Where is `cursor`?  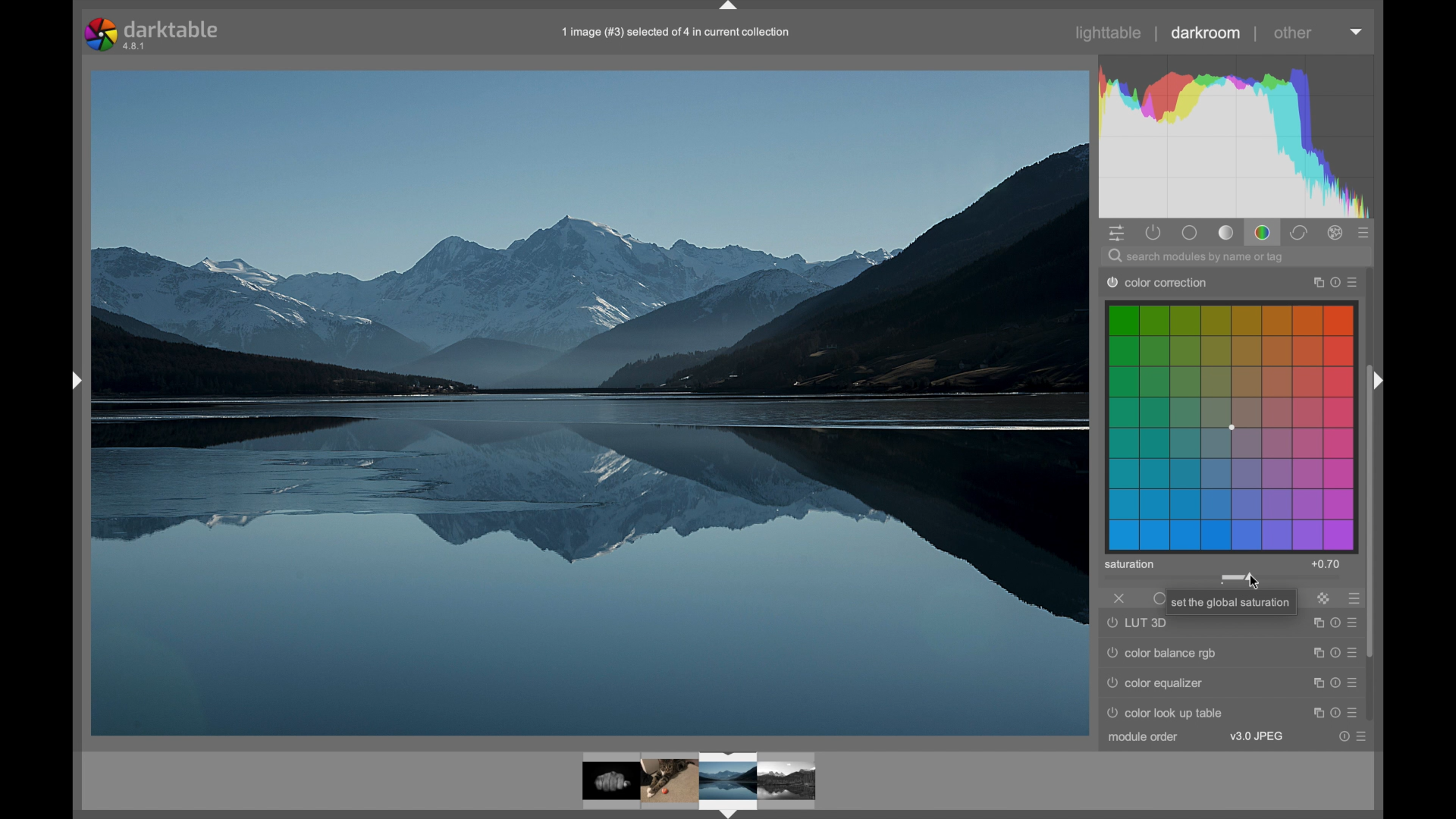
cursor is located at coordinates (1254, 582).